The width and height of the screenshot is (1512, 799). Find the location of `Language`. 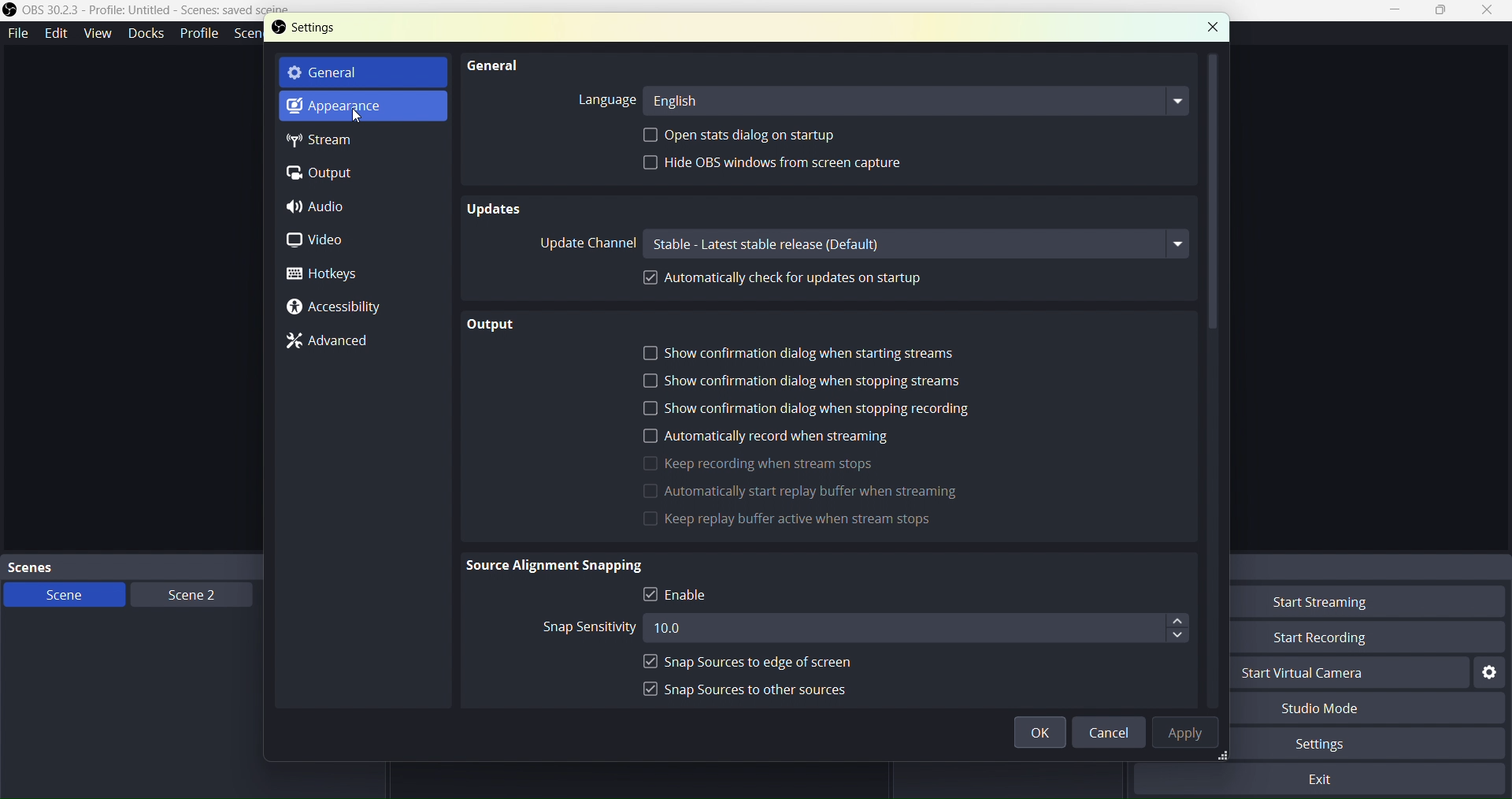

Language is located at coordinates (885, 99).